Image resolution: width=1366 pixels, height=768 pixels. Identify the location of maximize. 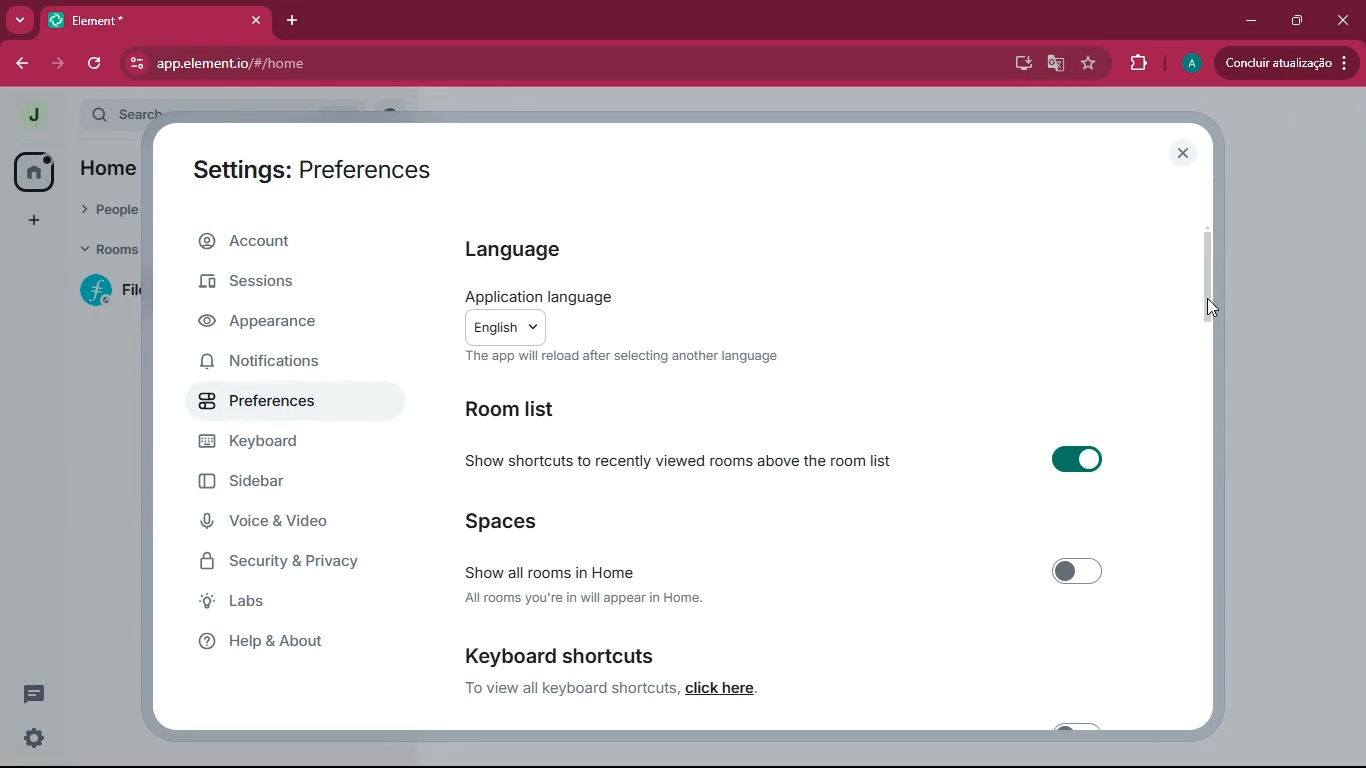
(1299, 22).